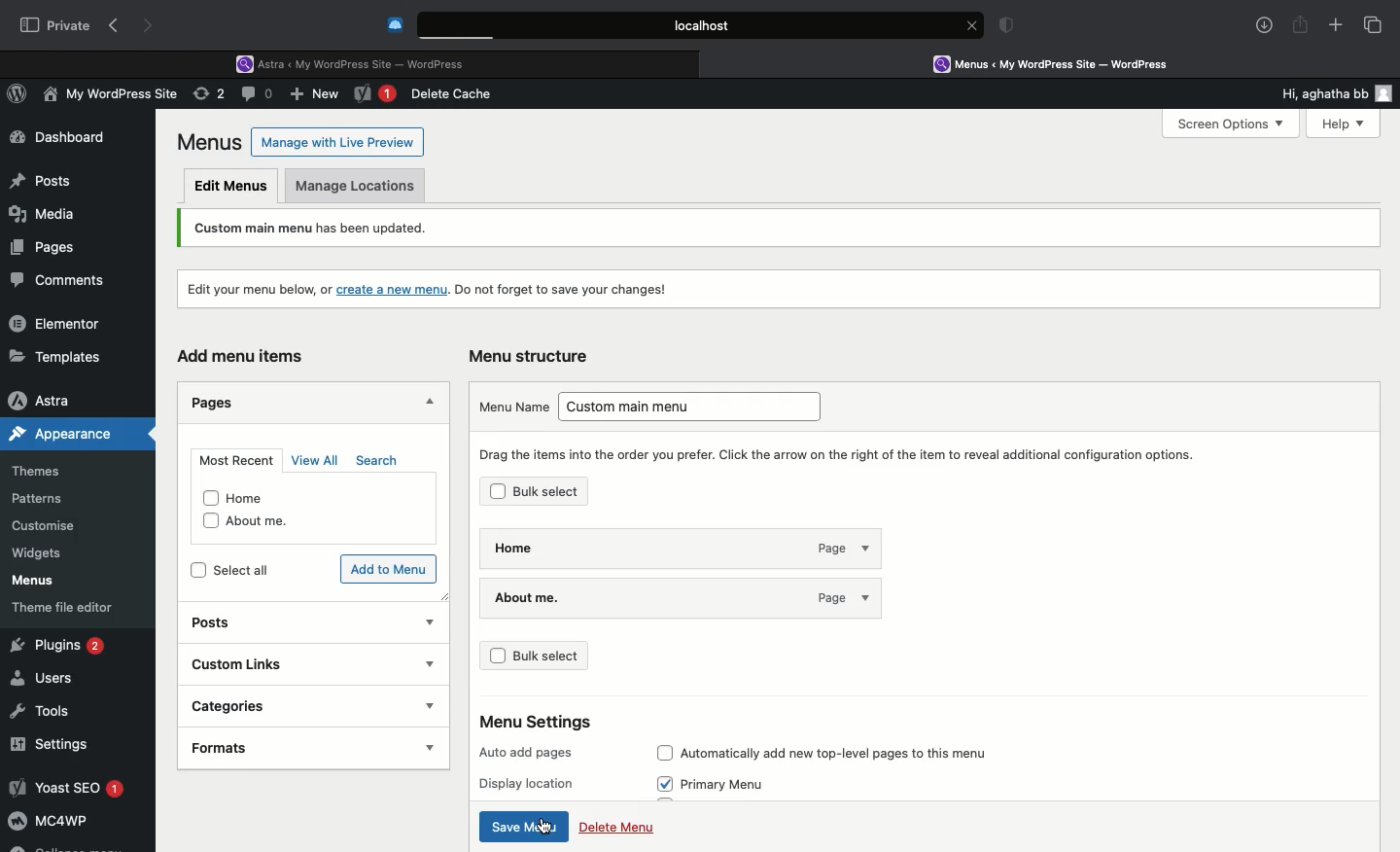 The image size is (1400, 852). What do you see at coordinates (47, 529) in the screenshot?
I see `Customize` at bounding box center [47, 529].